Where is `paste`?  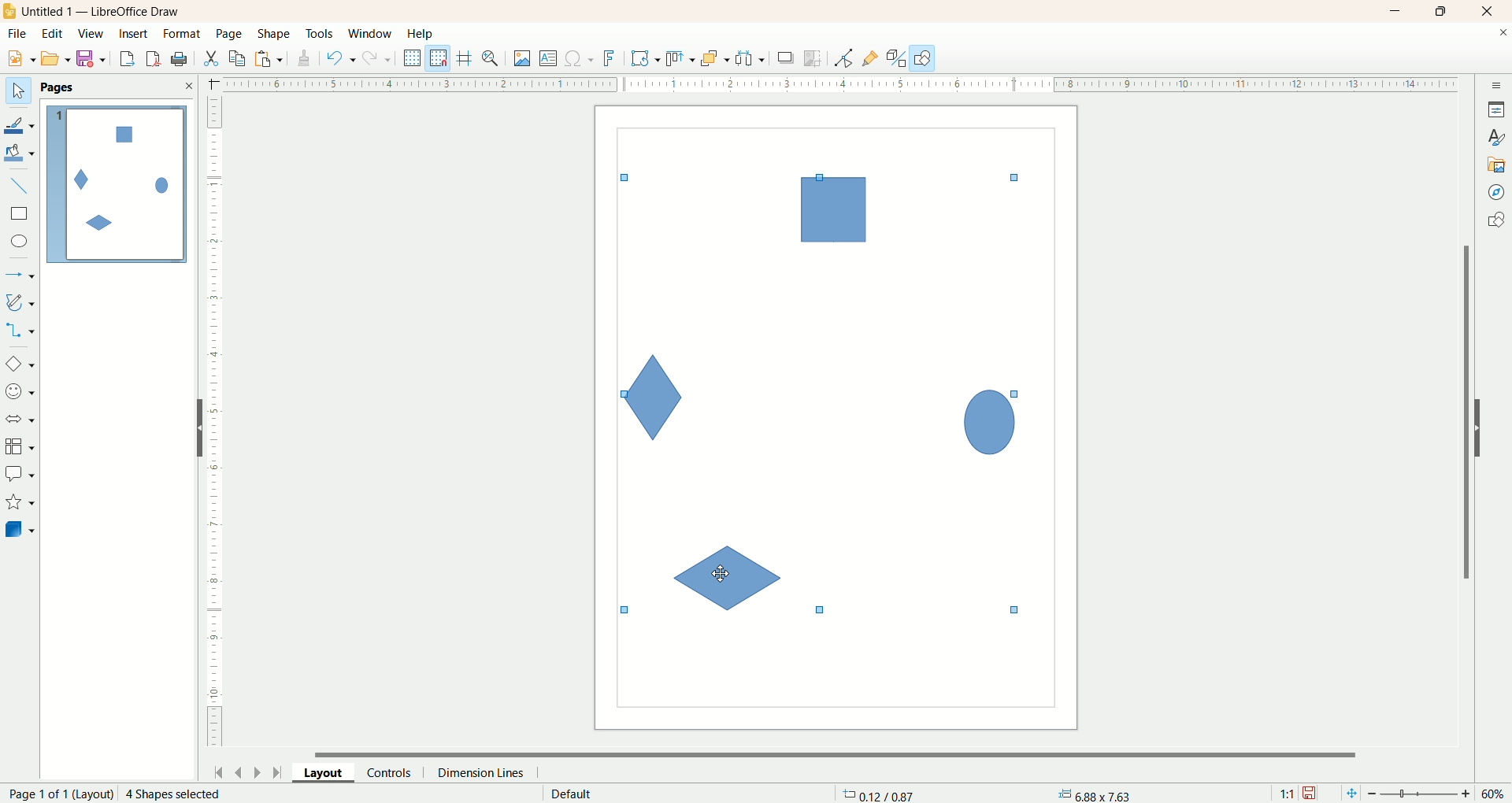 paste is located at coordinates (272, 57).